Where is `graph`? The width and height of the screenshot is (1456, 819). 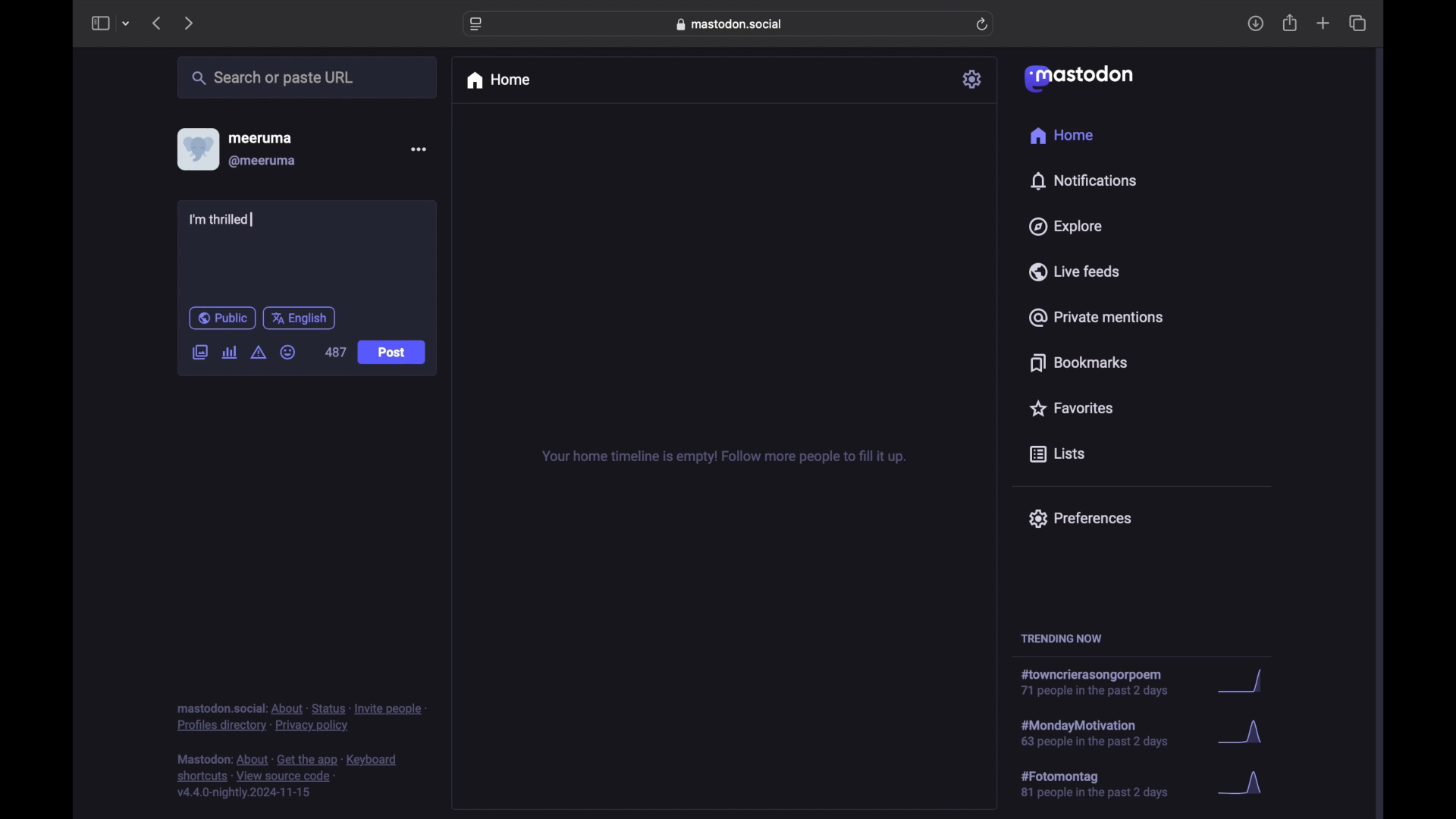 graph is located at coordinates (1244, 734).